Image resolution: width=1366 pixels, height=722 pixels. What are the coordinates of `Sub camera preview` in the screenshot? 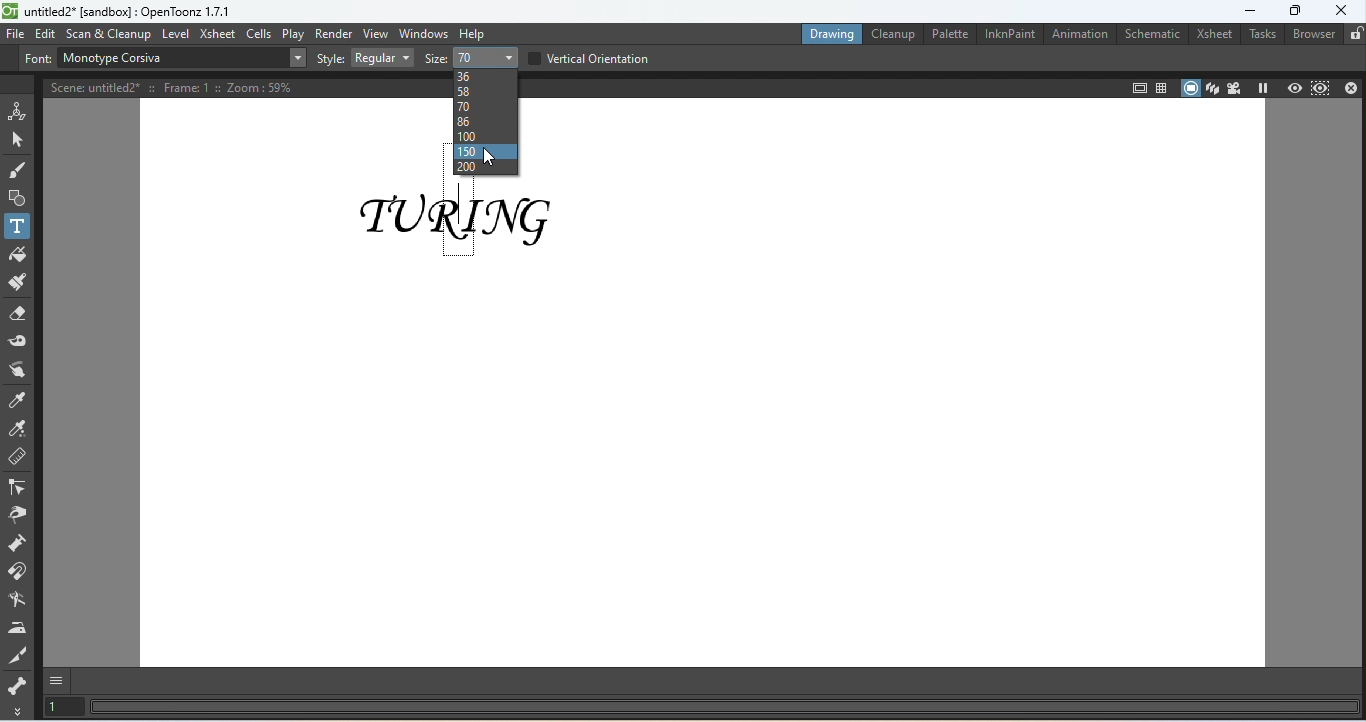 It's located at (1321, 89).